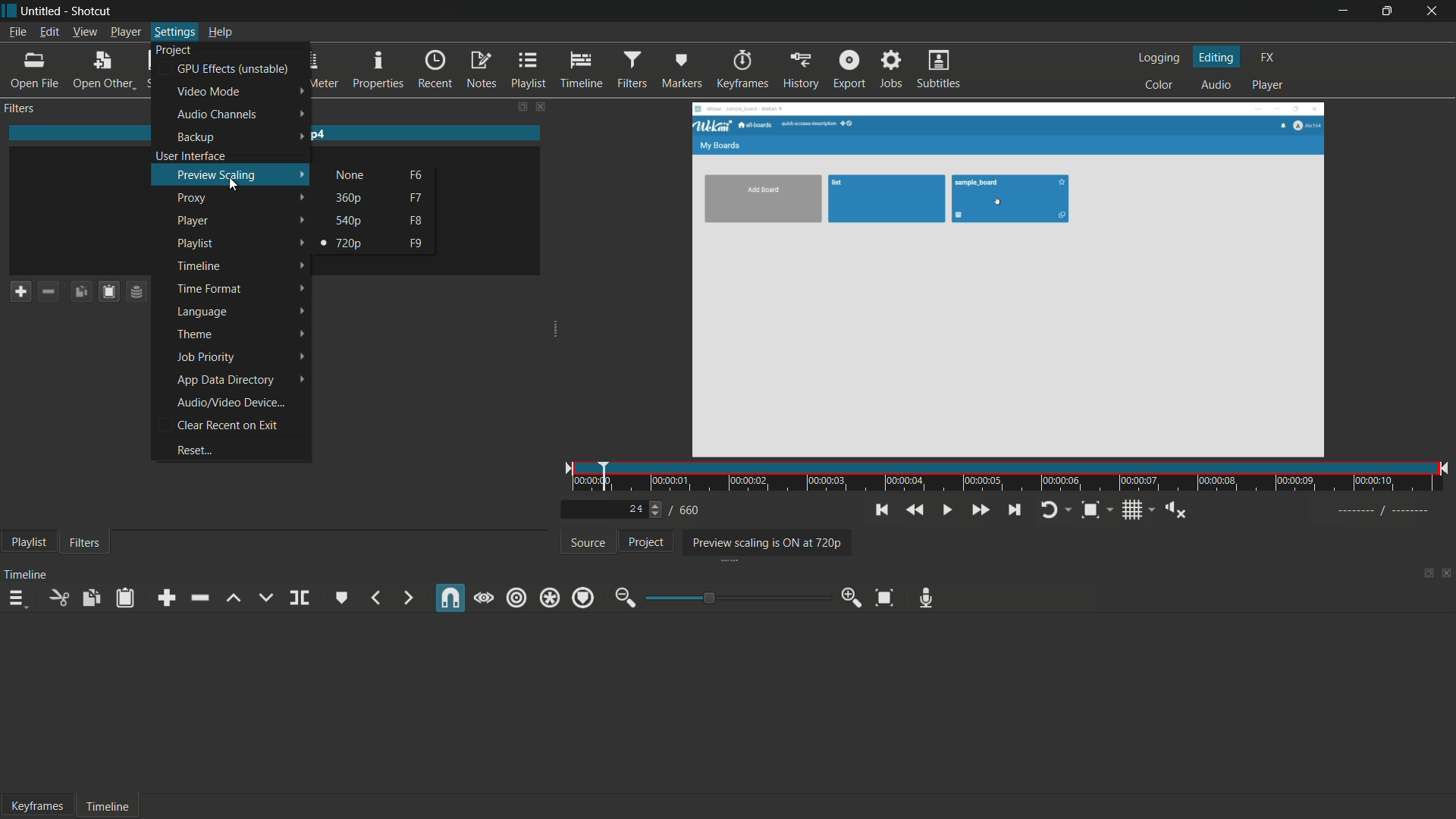 The width and height of the screenshot is (1456, 819). I want to click on reset, so click(193, 450).